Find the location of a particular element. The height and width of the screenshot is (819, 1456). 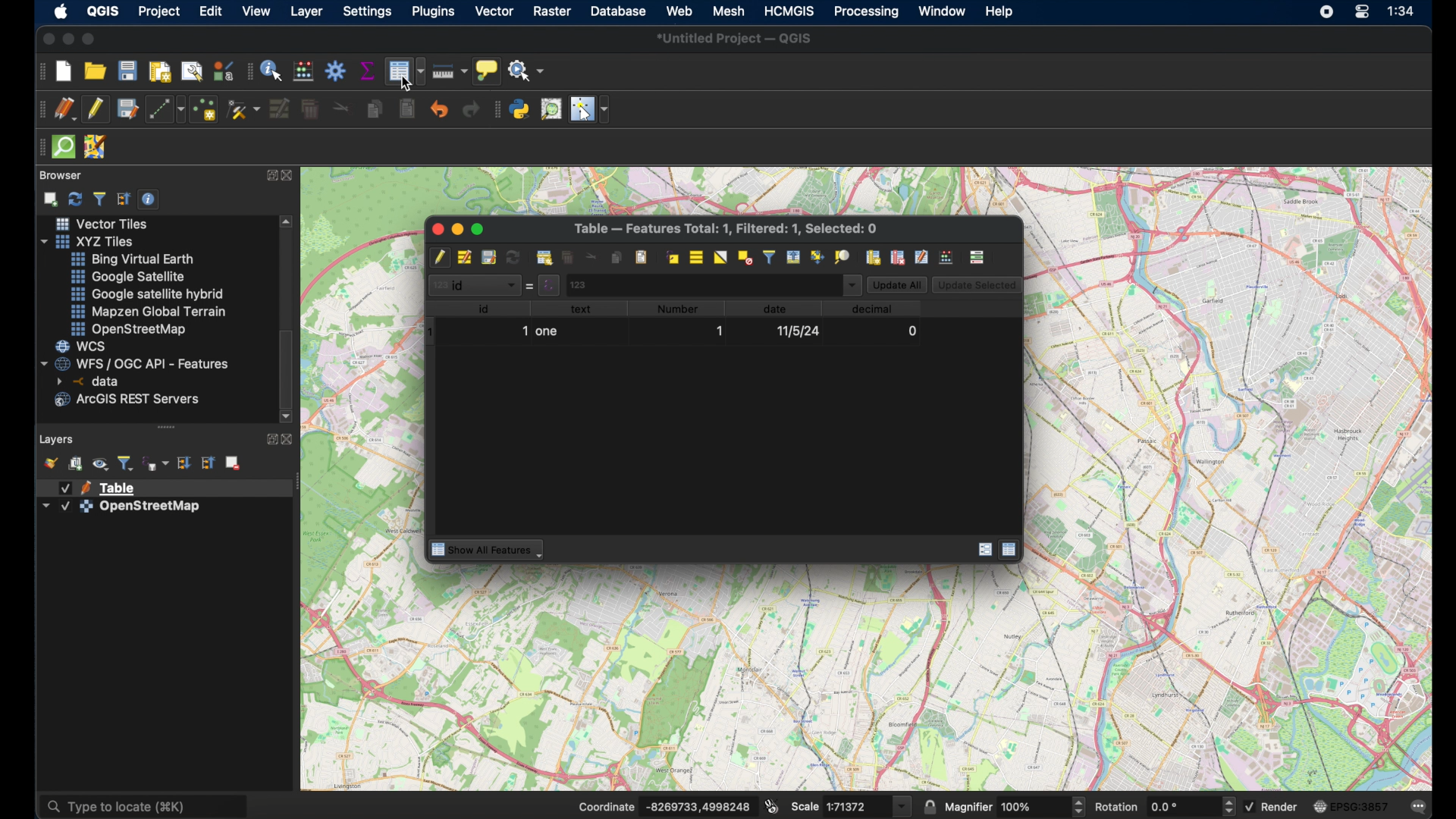

measure line is located at coordinates (449, 71).